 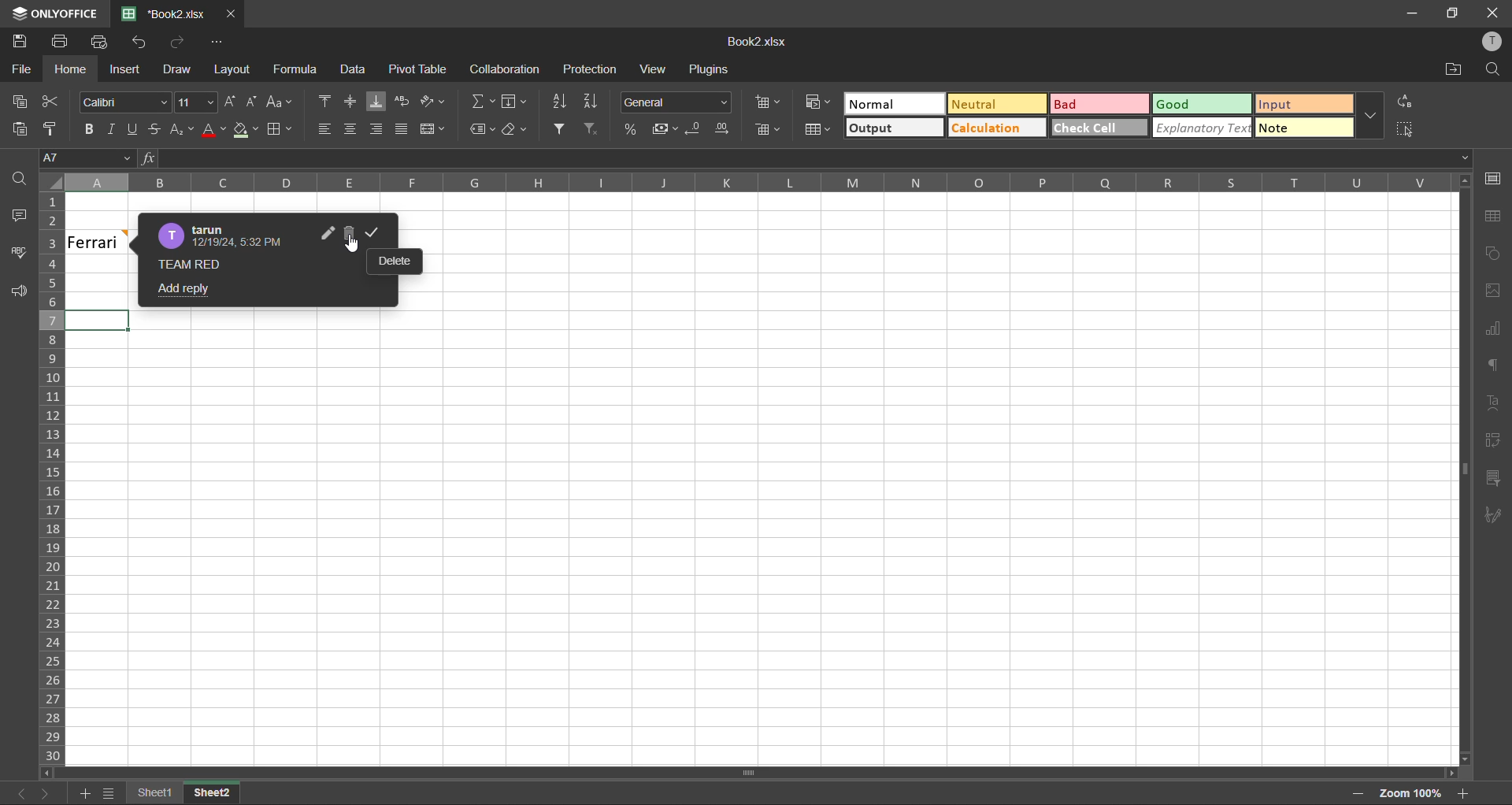 I want to click on table, so click(x=1494, y=217).